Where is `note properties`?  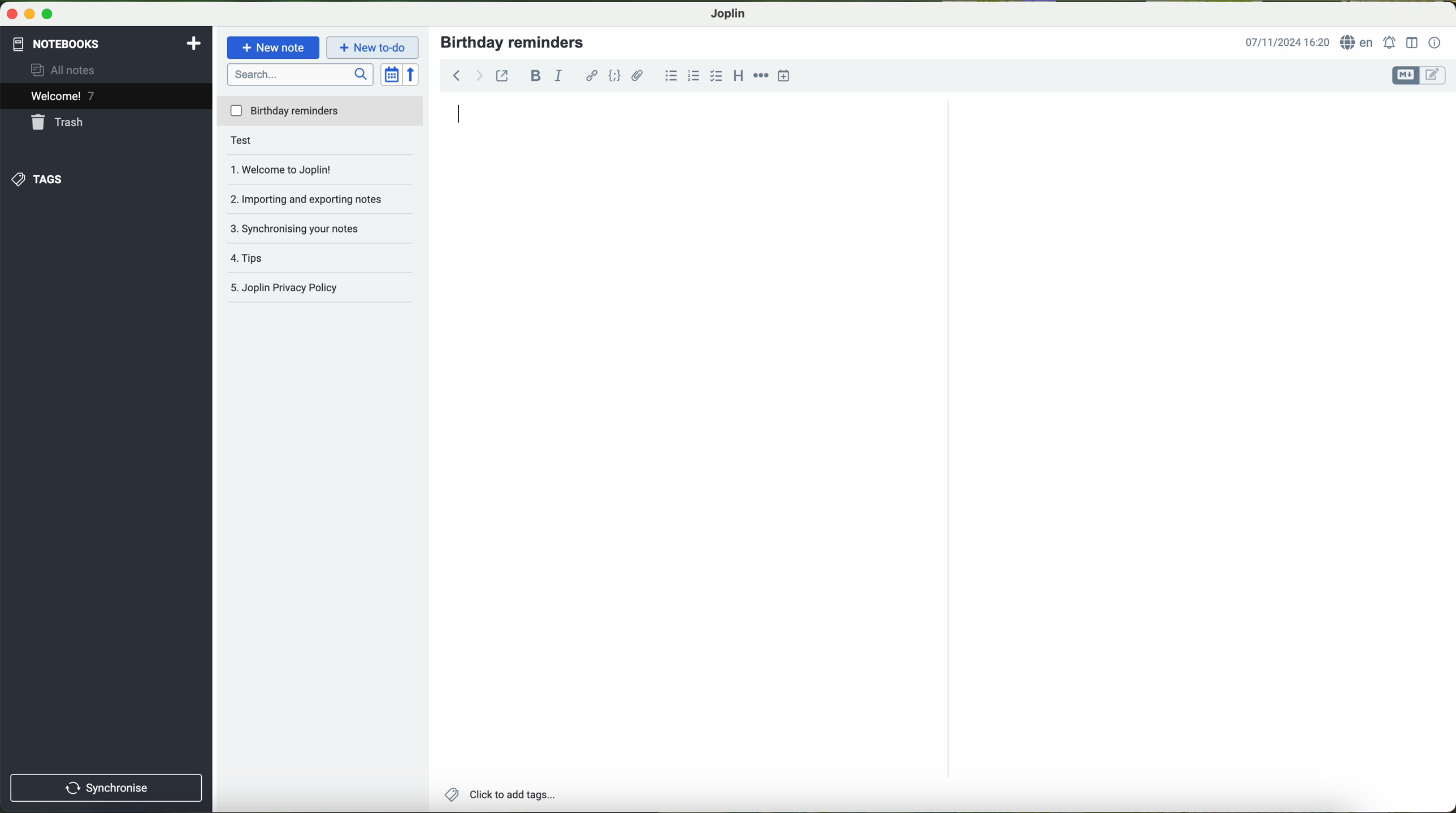
note properties is located at coordinates (1436, 43).